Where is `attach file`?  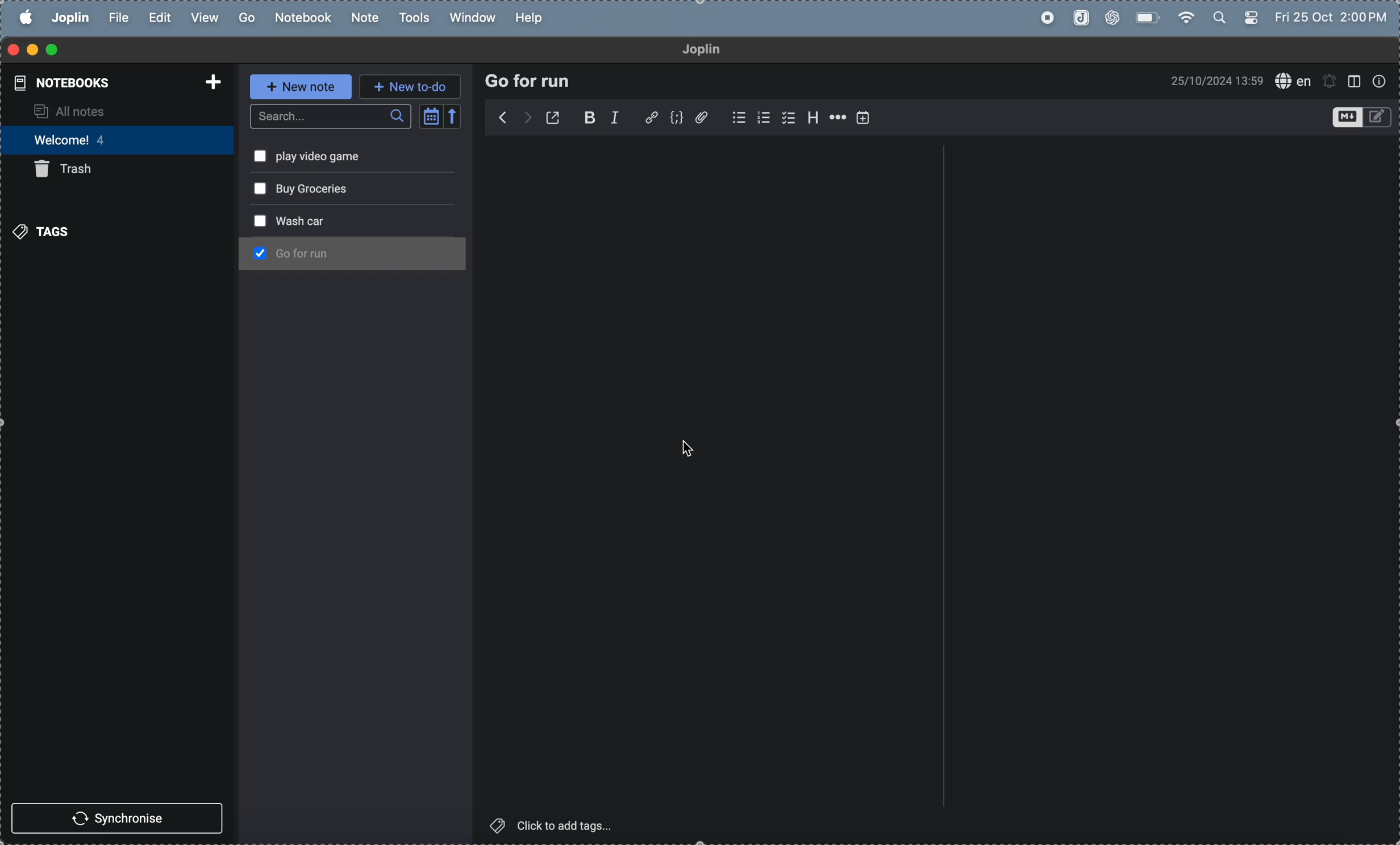 attach file is located at coordinates (703, 118).